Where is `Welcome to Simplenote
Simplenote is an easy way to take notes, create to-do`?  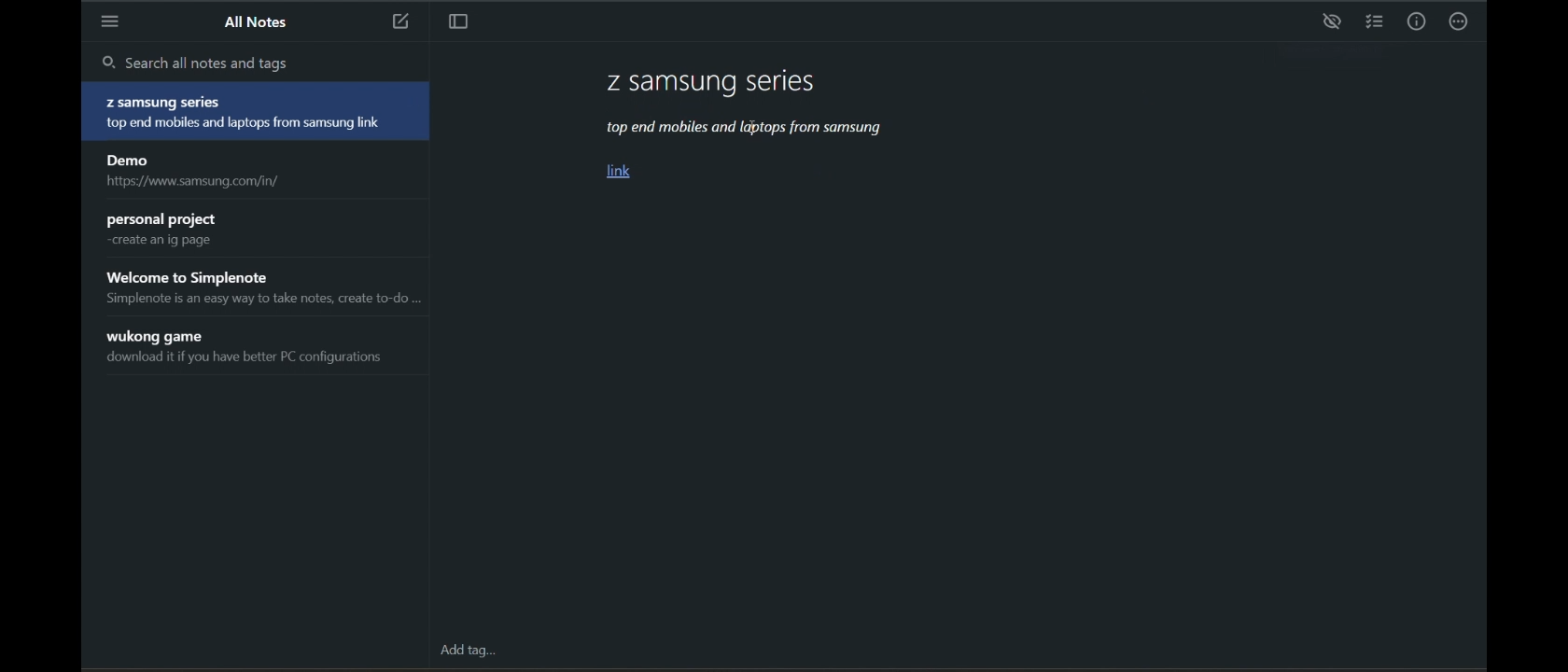 Welcome to Simplenote
Simplenote is an easy way to take notes, create to-do is located at coordinates (261, 289).